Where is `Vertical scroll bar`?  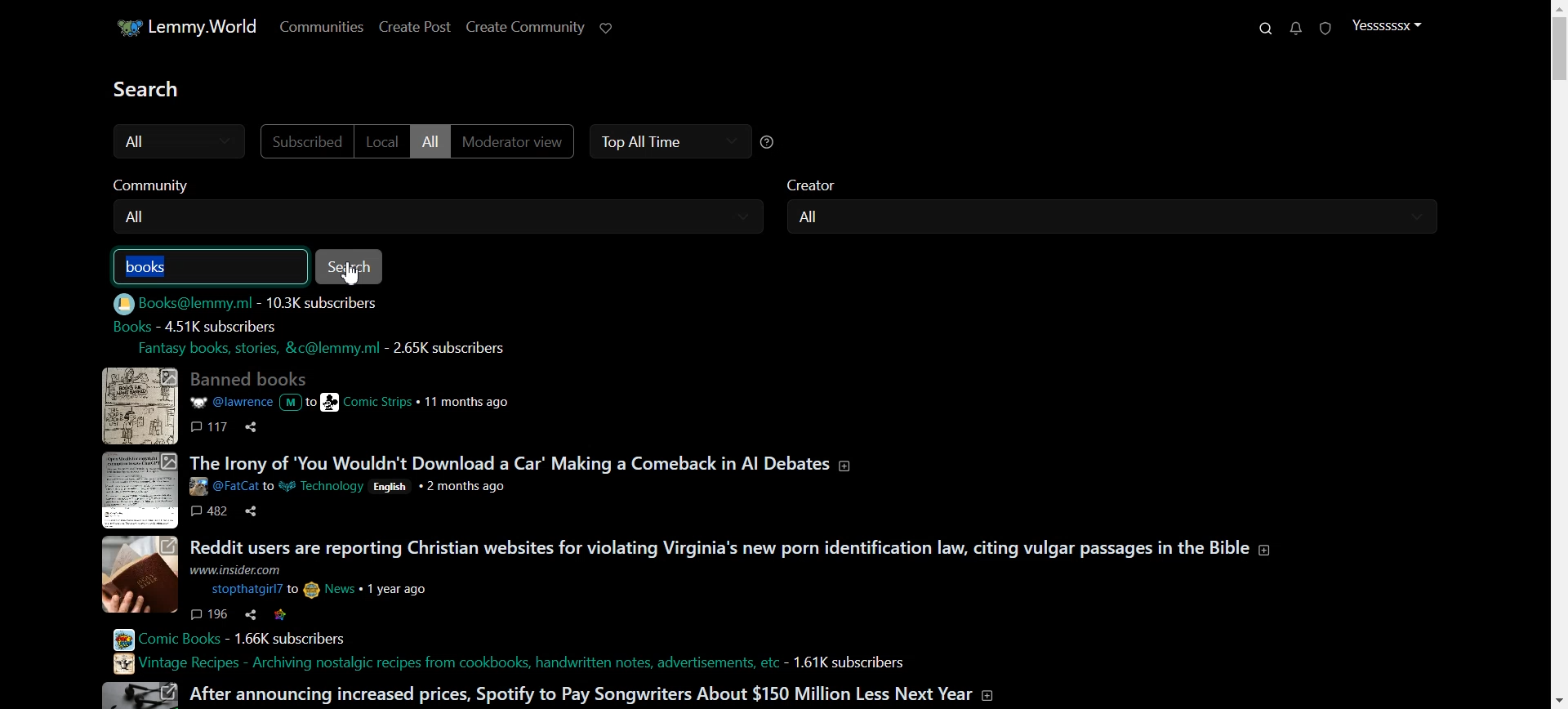 Vertical scroll bar is located at coordinates (1558, 354).